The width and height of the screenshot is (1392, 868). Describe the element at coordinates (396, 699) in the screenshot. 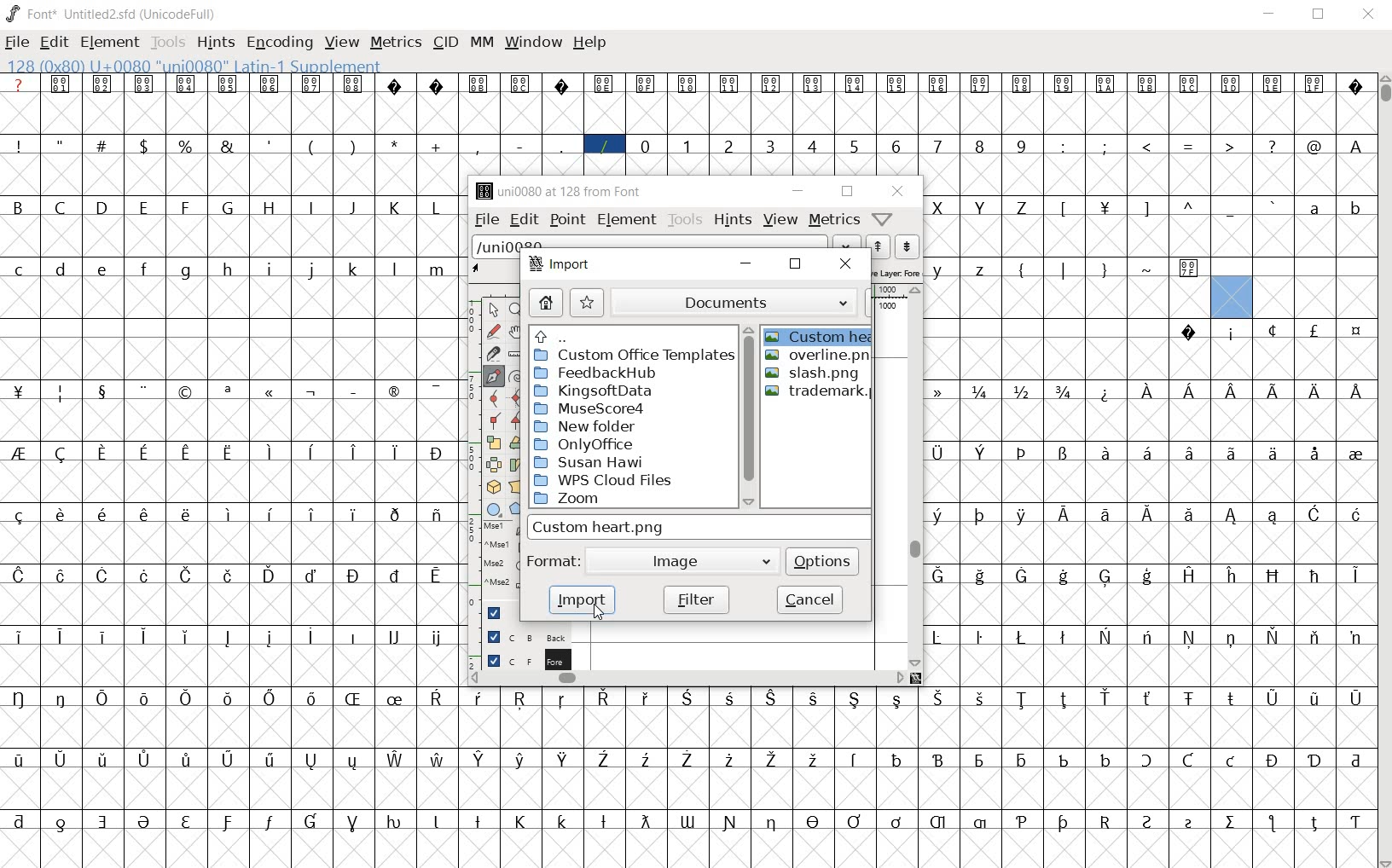

I see `glyph` at that location.